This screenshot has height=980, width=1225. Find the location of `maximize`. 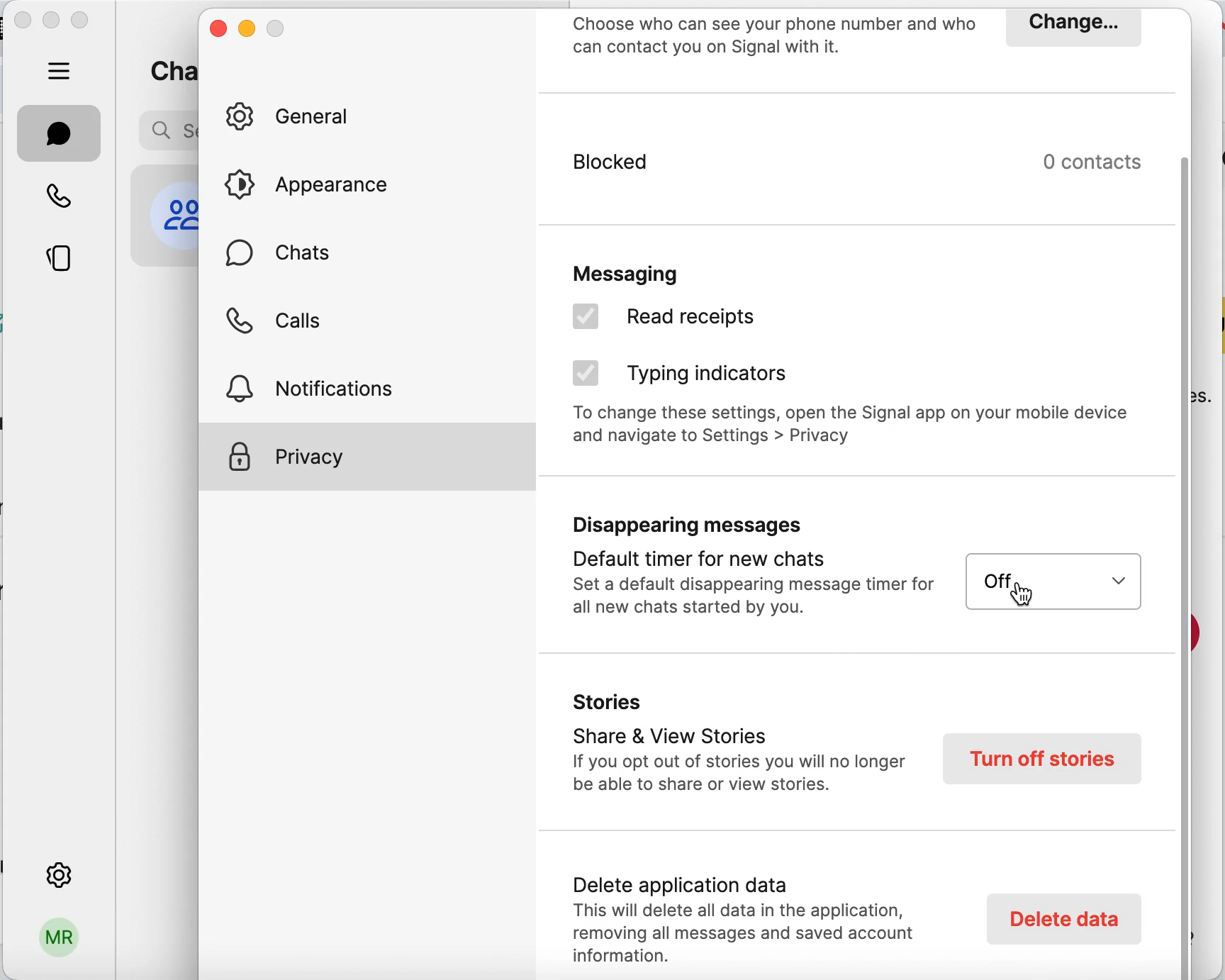

maximize is located at coordinates (84, 22).